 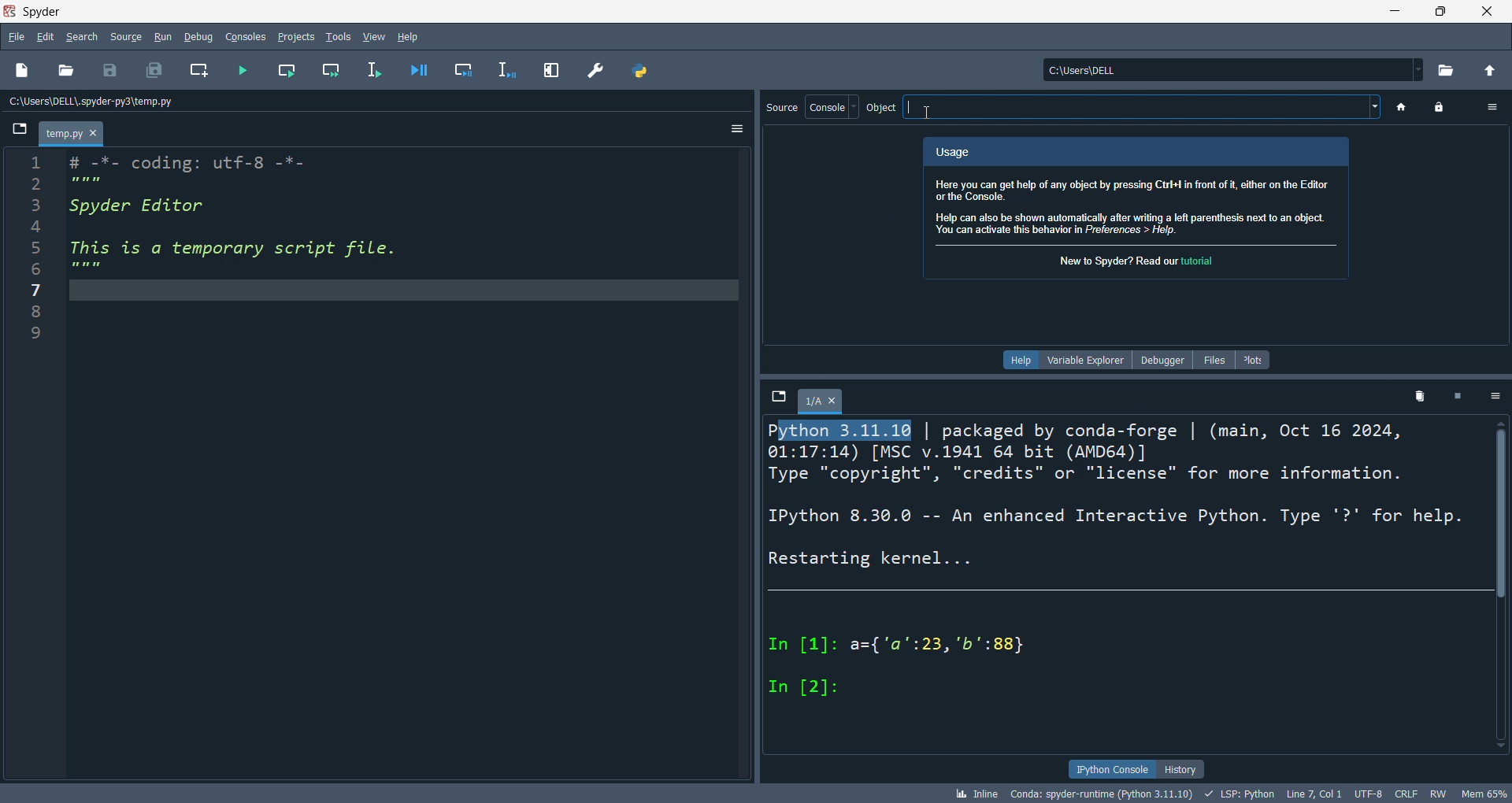 I want to click on edit, so click(x=42, y=36).